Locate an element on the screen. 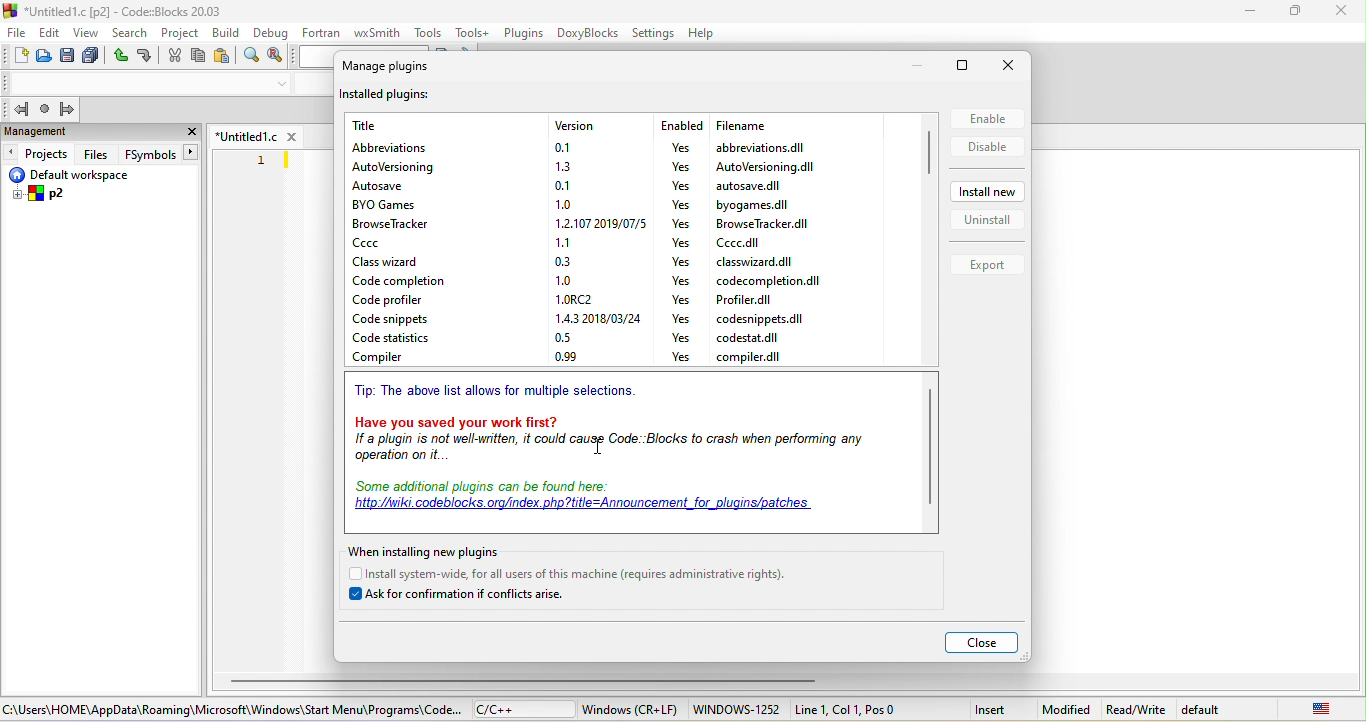 This screenshot has height=722, width=1366. if a plugin is not well written it could cause code..blocks to crash when performing any operation on it is located at coordinates (617, 454).